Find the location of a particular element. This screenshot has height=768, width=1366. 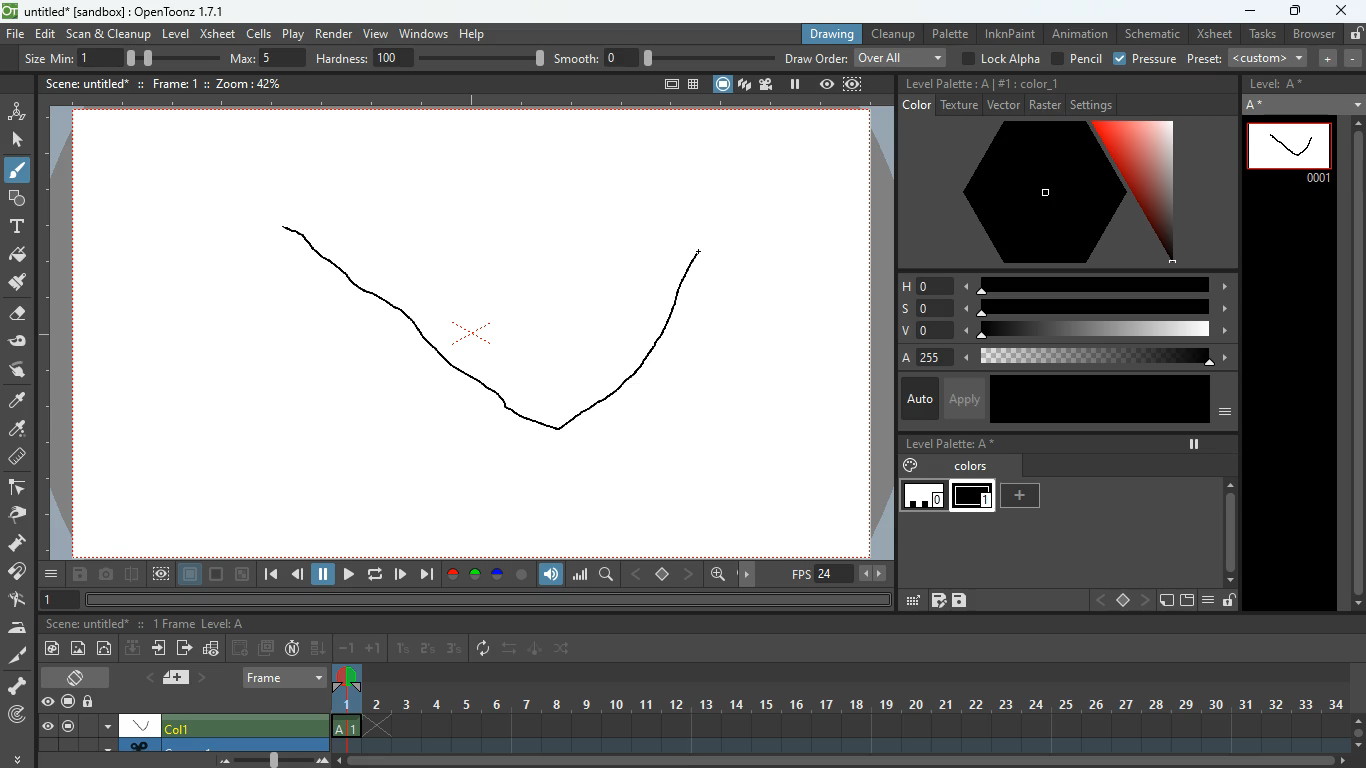

level is located at coordinates (175, 34).